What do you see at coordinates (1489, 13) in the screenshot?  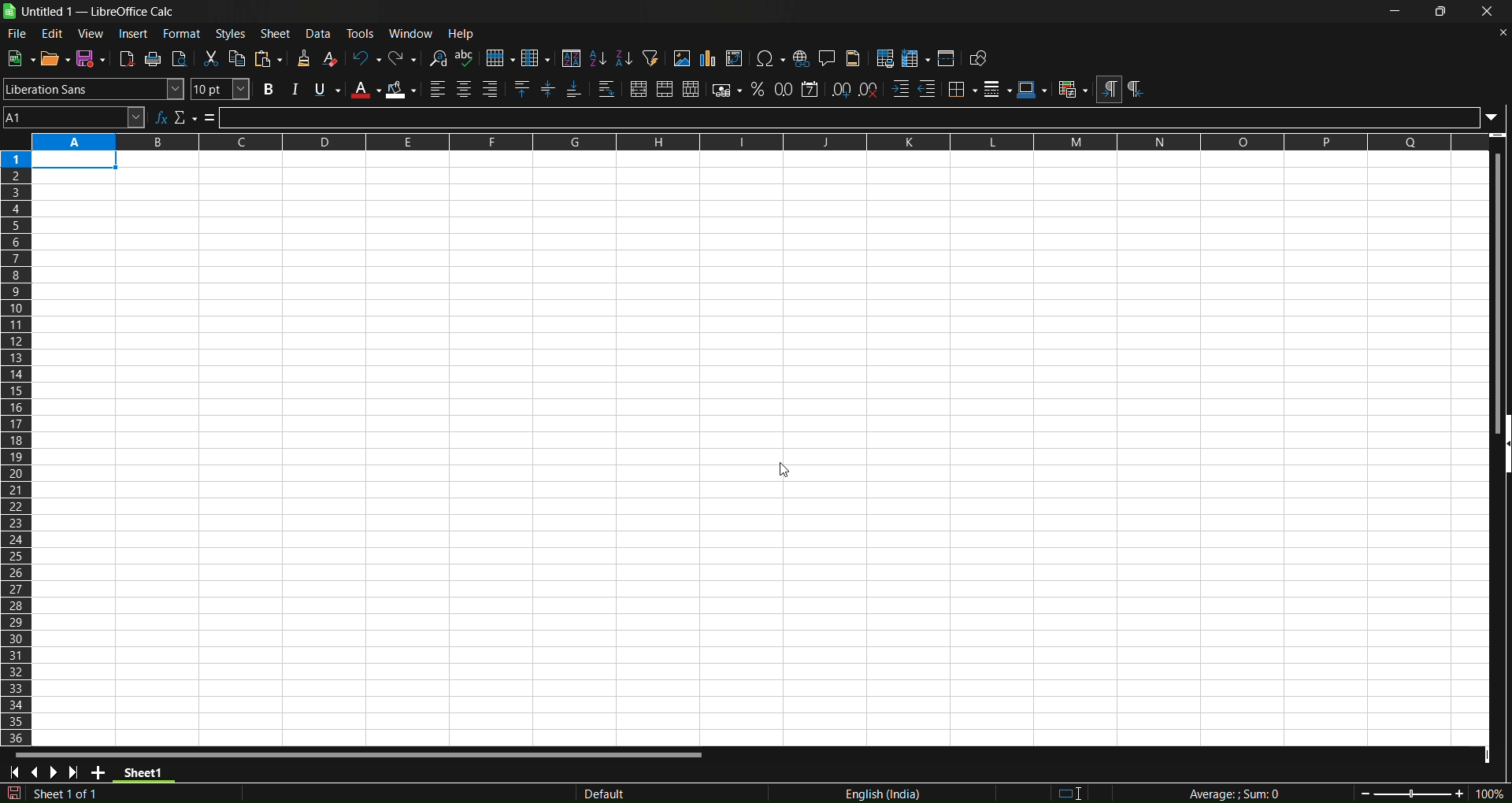 I see `close` at bounding box center [1489, 13].